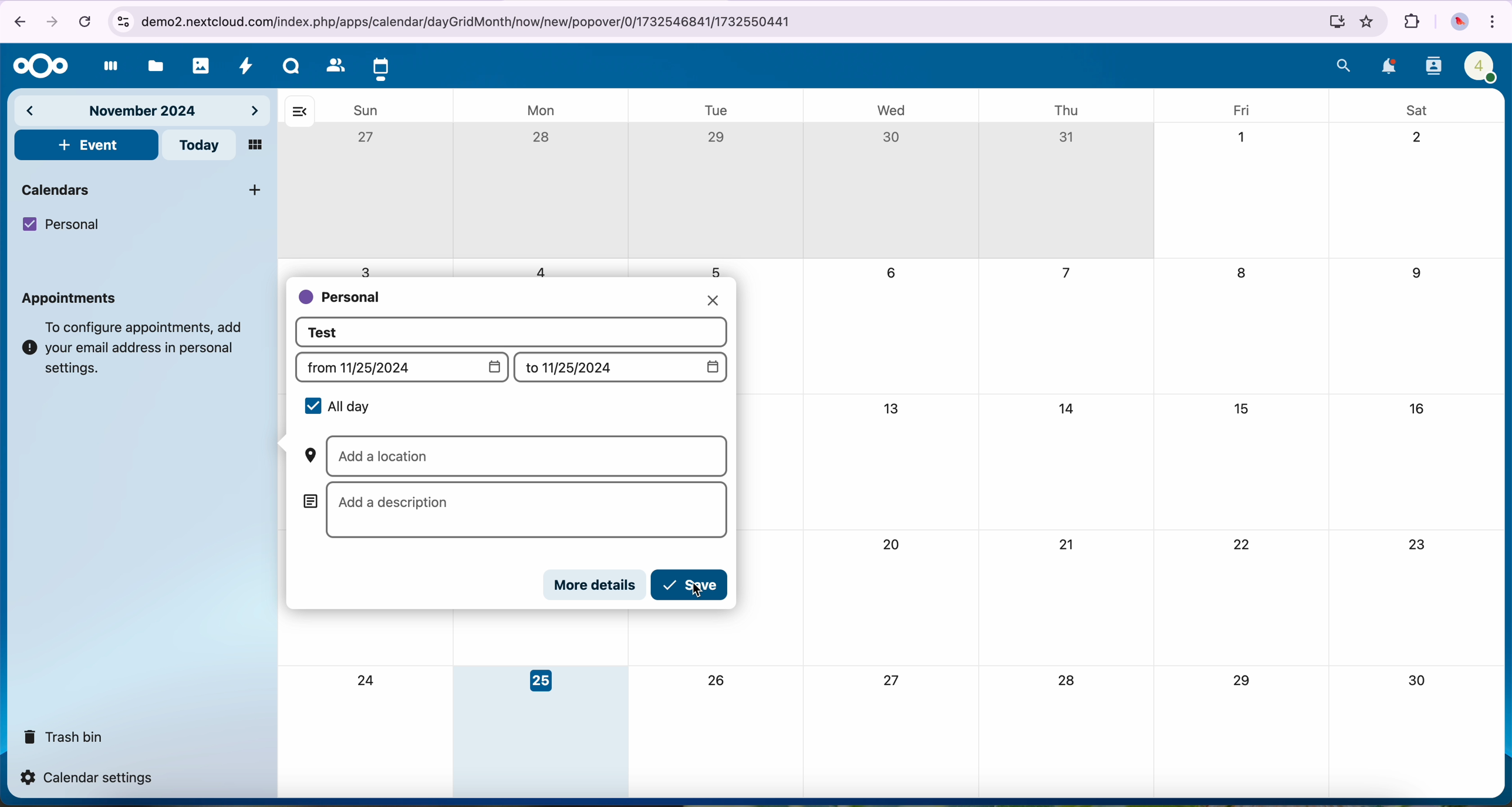  I want to click on click on calendar, so click(381, 67).